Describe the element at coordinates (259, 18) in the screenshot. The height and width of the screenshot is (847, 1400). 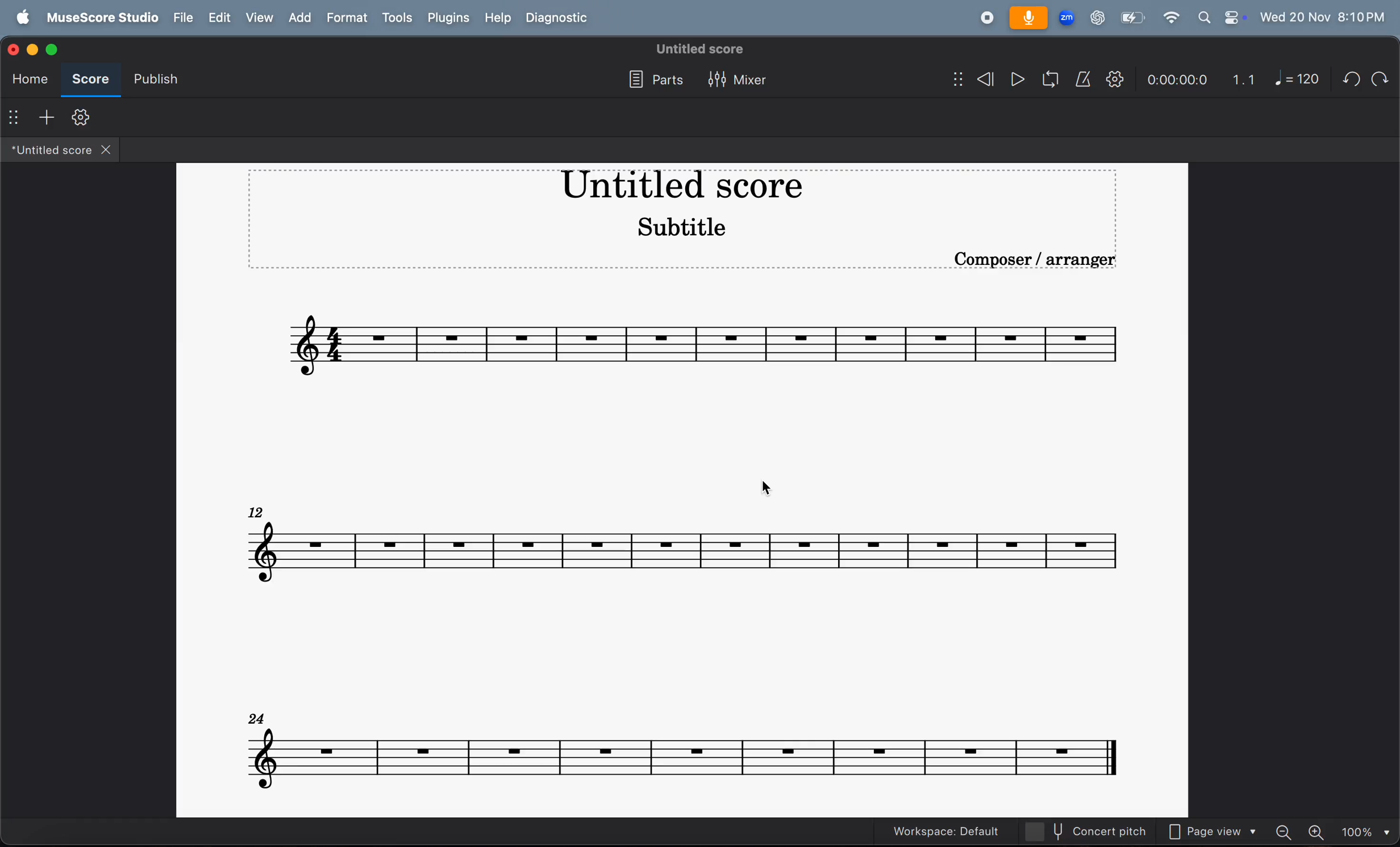
I see `view` at that location.